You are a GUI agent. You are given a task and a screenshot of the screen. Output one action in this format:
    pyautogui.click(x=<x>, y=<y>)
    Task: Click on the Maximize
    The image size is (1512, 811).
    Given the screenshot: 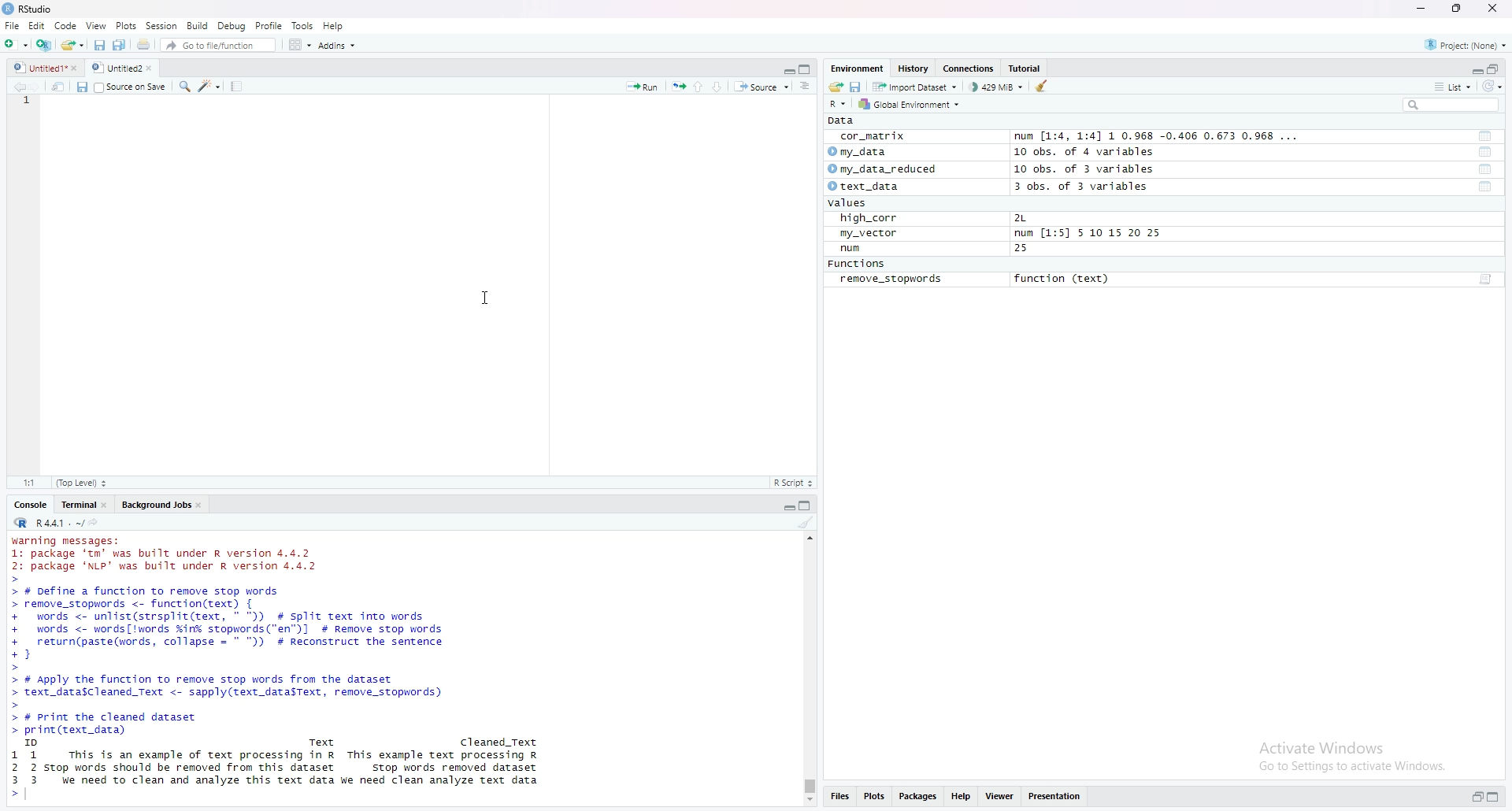 What is the action you would take?
    pyautogui.click(x=808, y=69)
    